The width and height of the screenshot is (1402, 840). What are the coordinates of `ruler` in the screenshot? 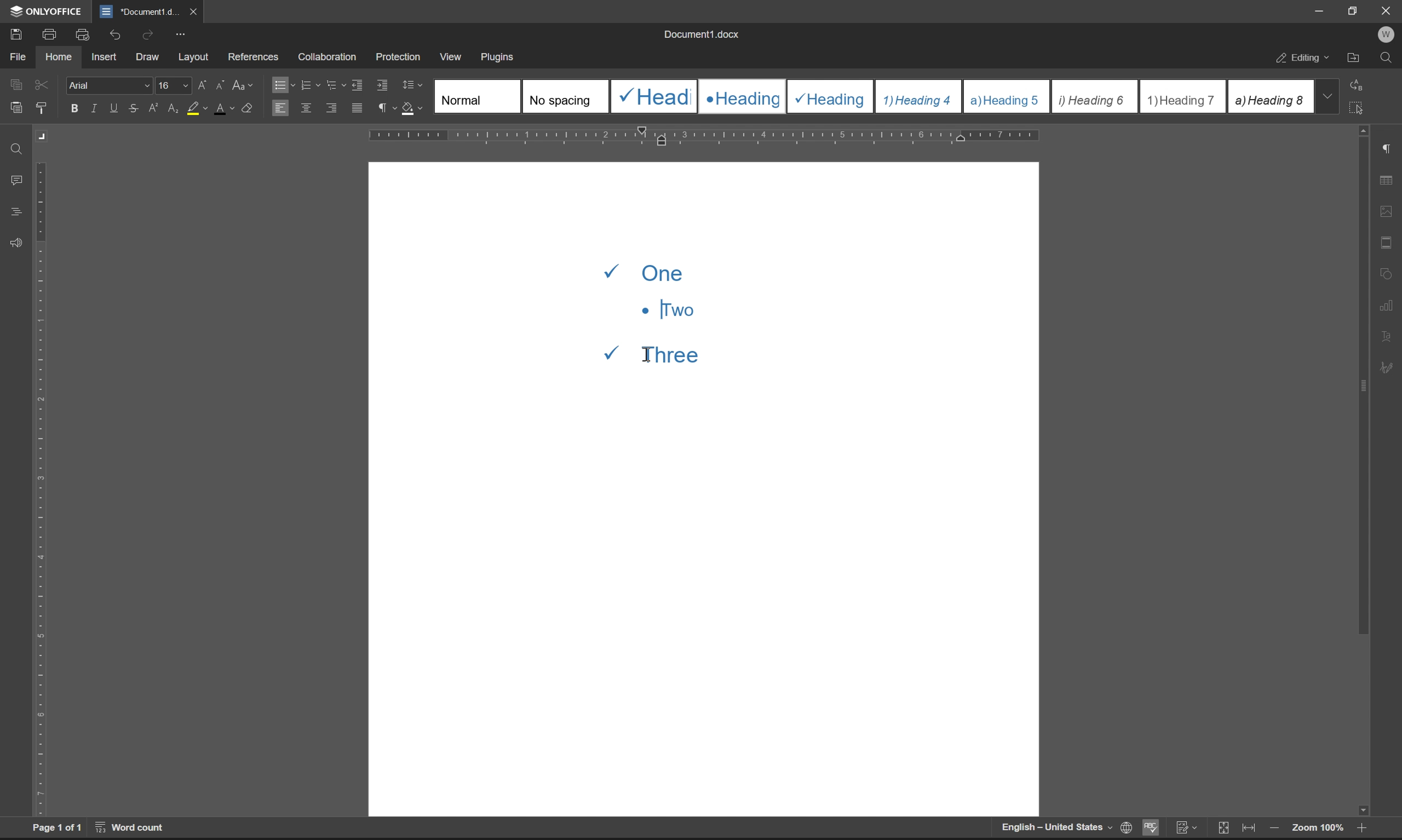 It's located at (41, 488).